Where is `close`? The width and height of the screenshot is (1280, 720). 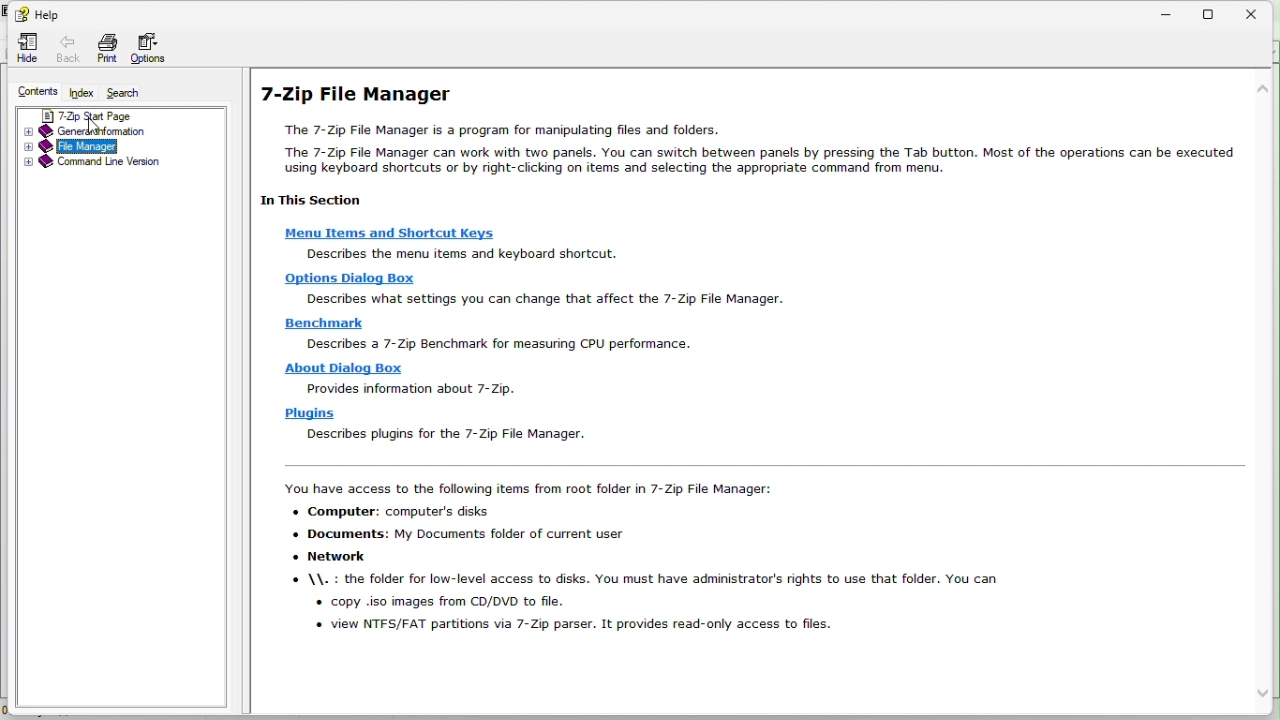
close is located at coordinates (1258, 13).